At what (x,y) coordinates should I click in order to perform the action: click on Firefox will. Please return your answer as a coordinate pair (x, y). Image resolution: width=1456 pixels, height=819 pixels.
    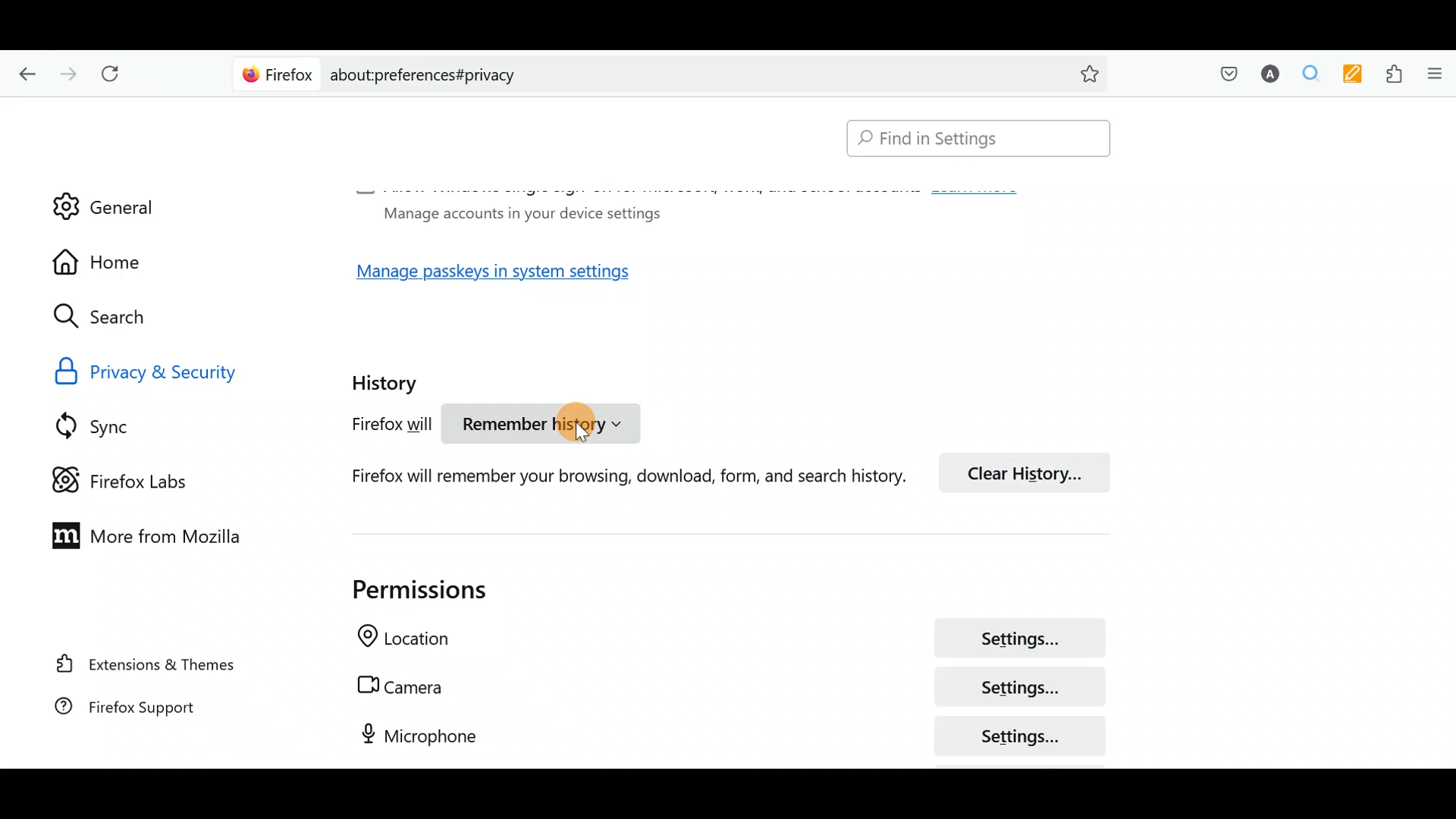
    Looking at the image, I should click on (376, 427).